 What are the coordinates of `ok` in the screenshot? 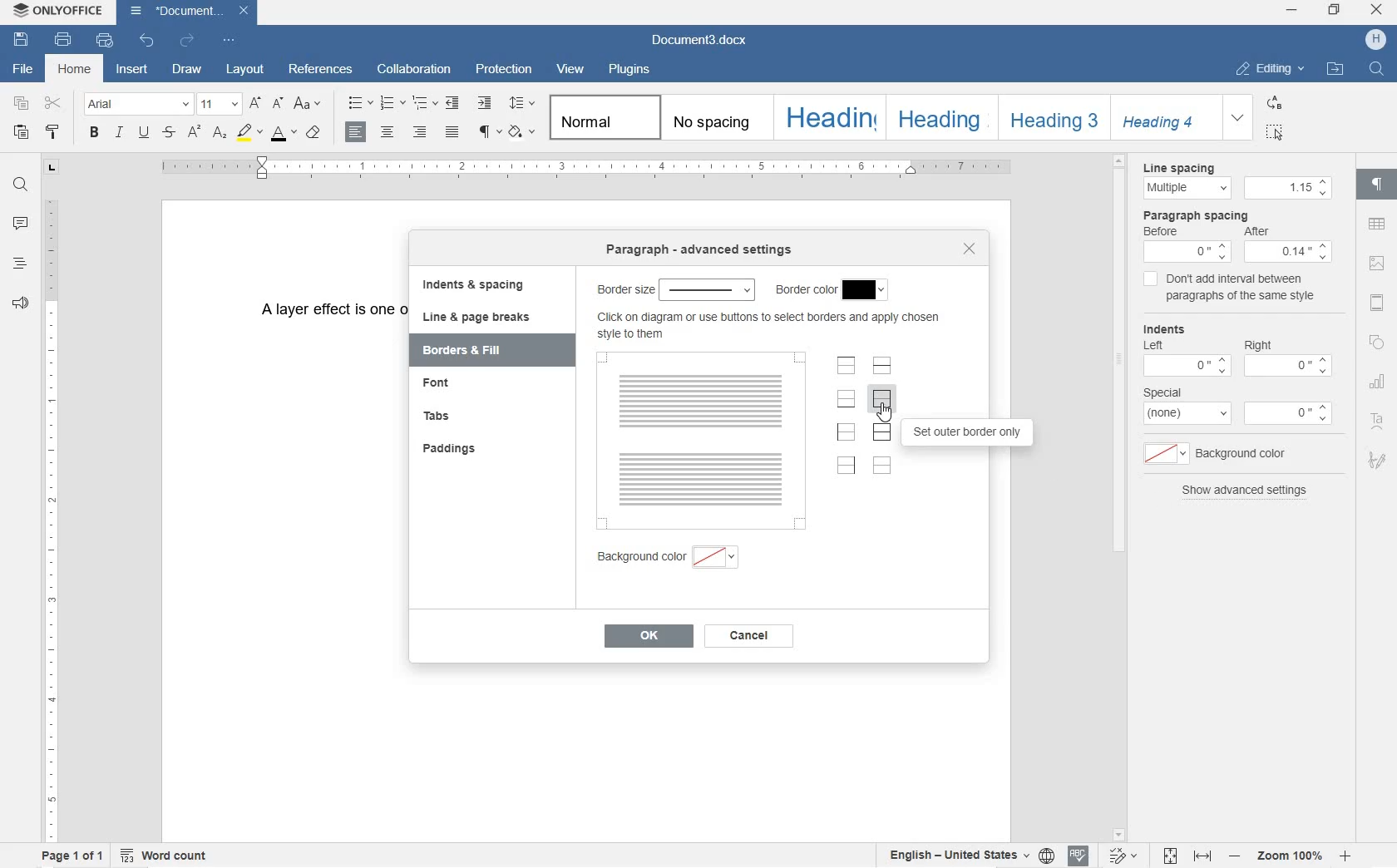 It's located at (646, 635).